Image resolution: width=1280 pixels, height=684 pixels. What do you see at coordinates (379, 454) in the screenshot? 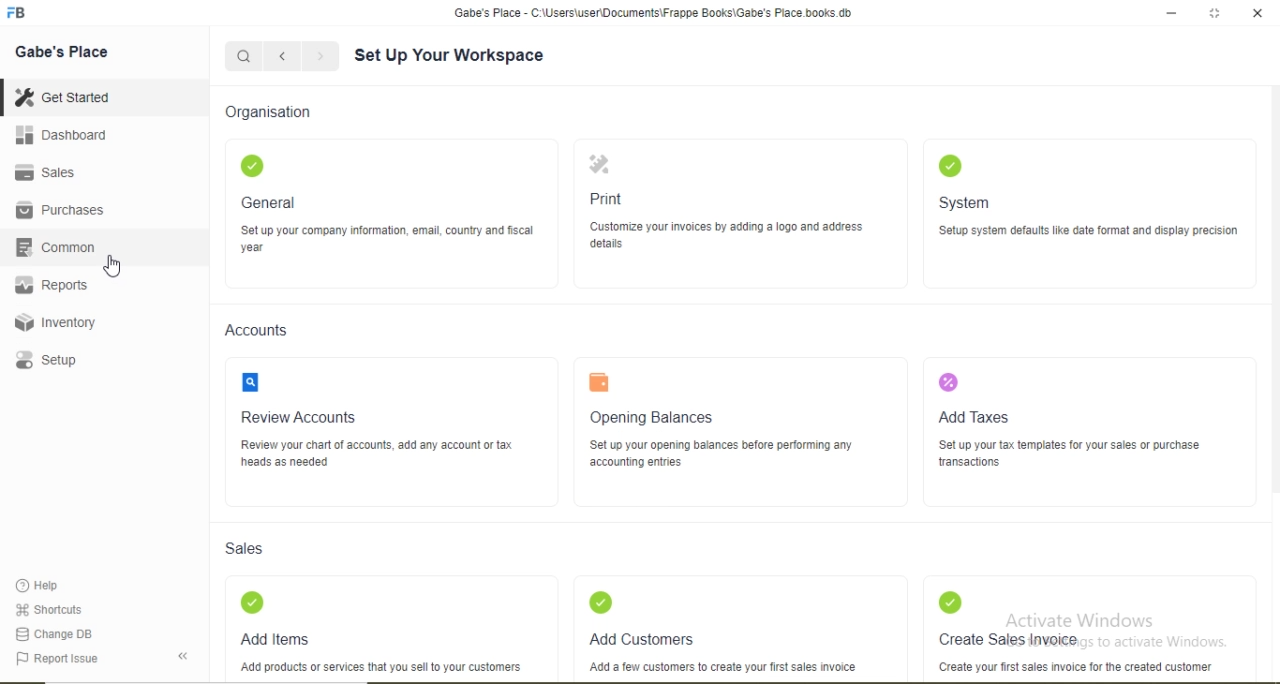
I see `Review your chart of accounts, add any account or tax heads as needed` at bounding box center [379, 454].